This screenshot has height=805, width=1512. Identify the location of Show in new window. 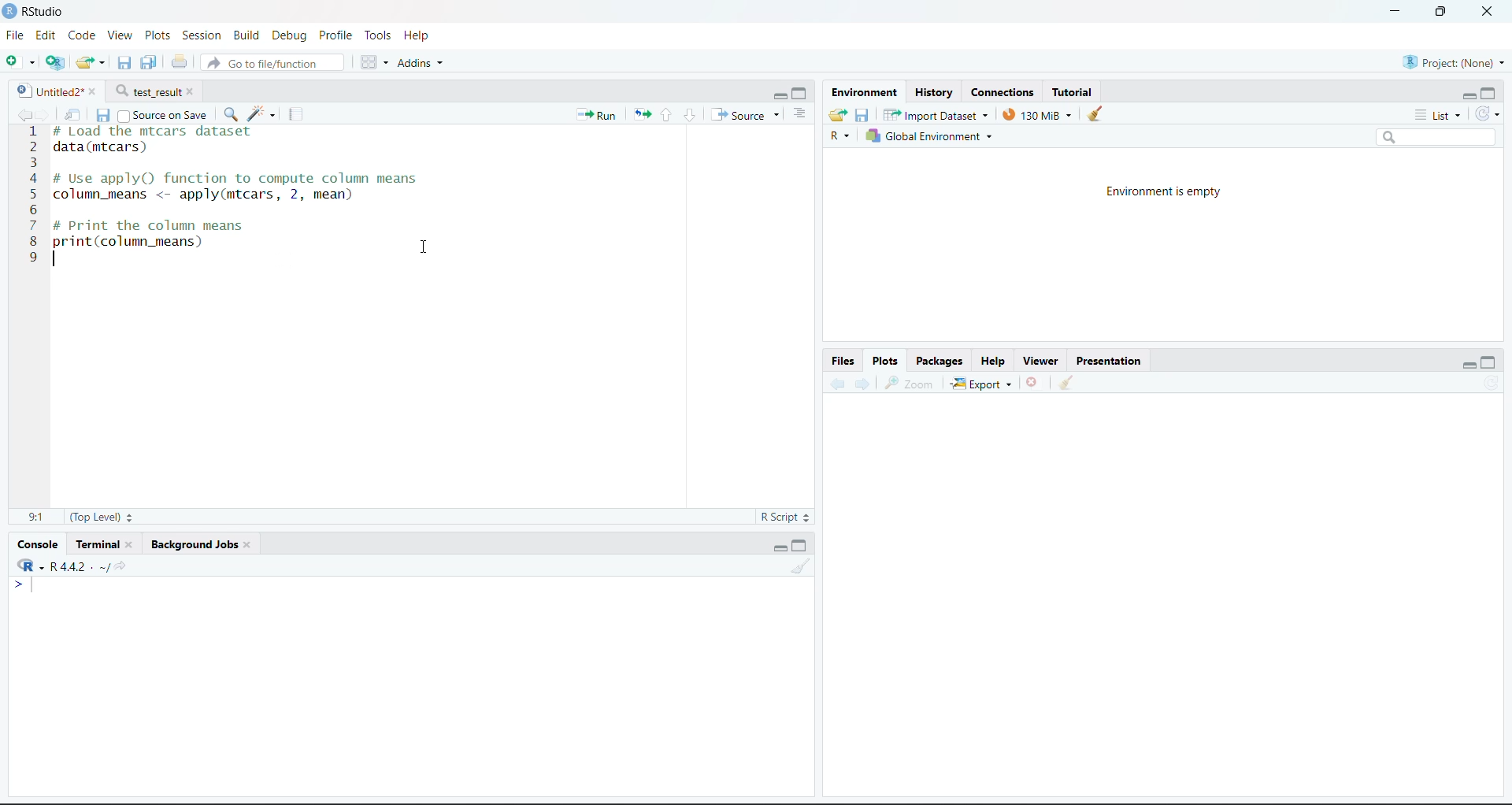
(77, 113).